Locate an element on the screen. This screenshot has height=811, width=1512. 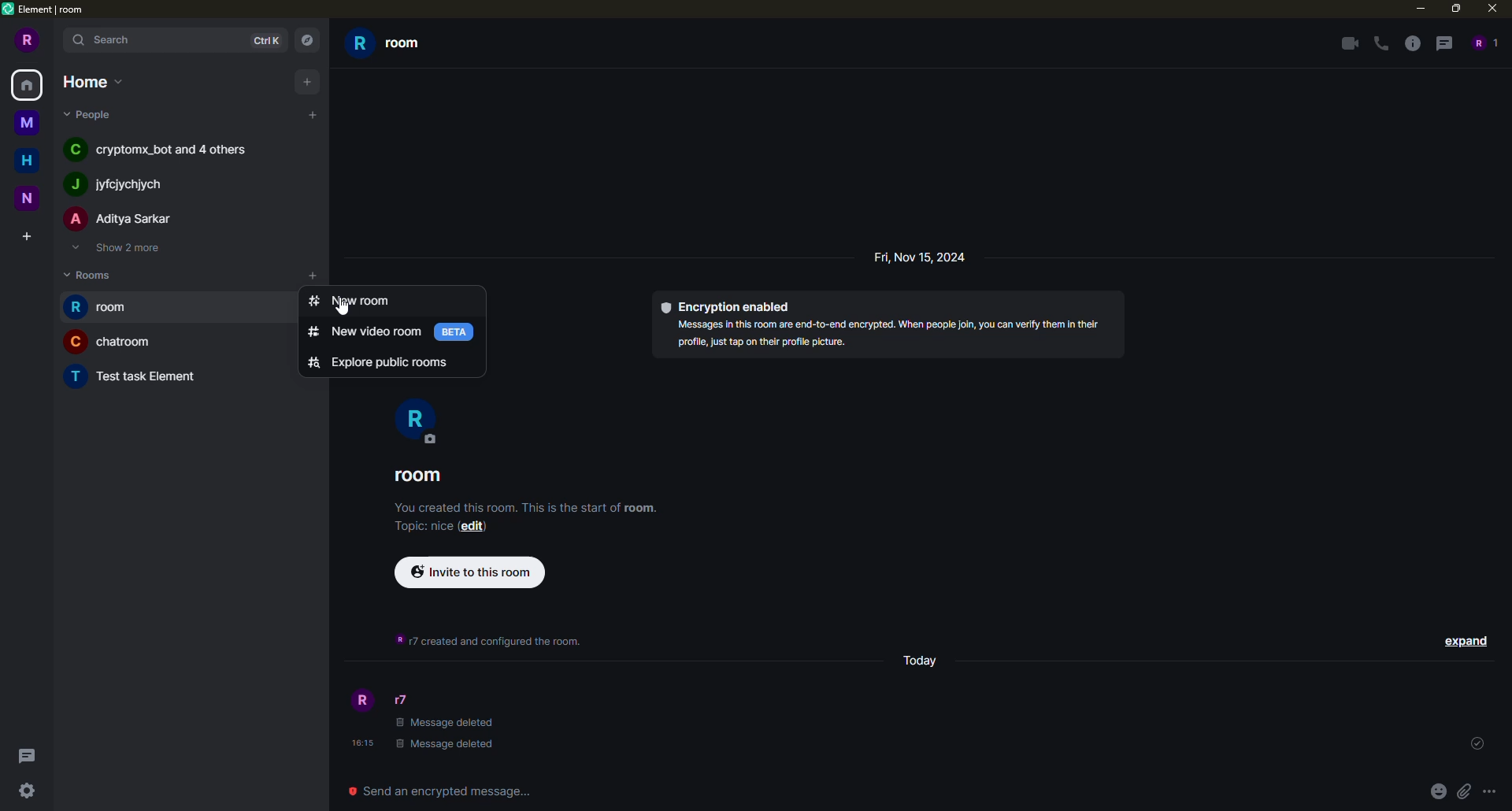
room is located at coordinates (394, 46).